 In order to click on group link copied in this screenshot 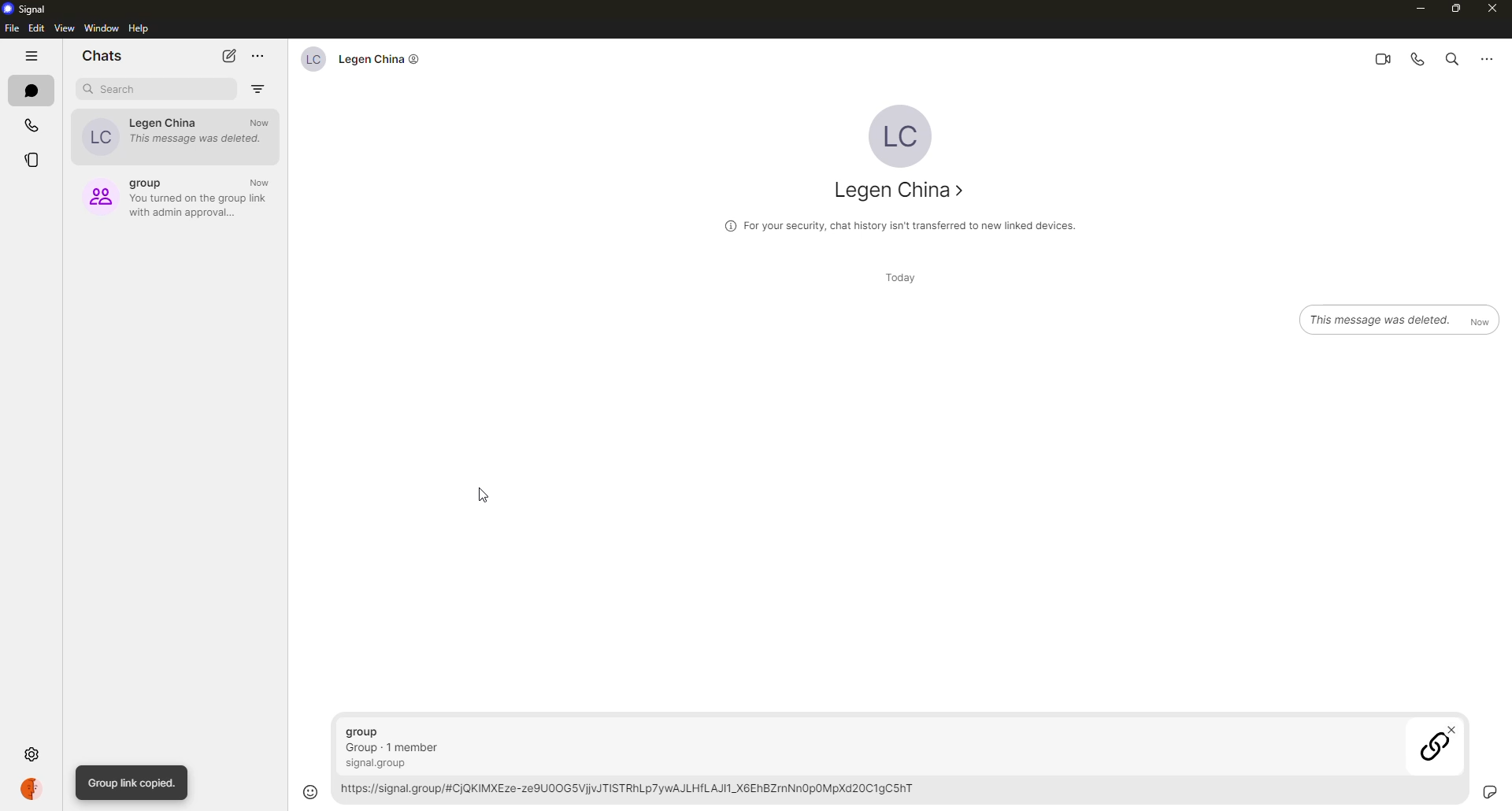, I will do `click(133, 783)`.